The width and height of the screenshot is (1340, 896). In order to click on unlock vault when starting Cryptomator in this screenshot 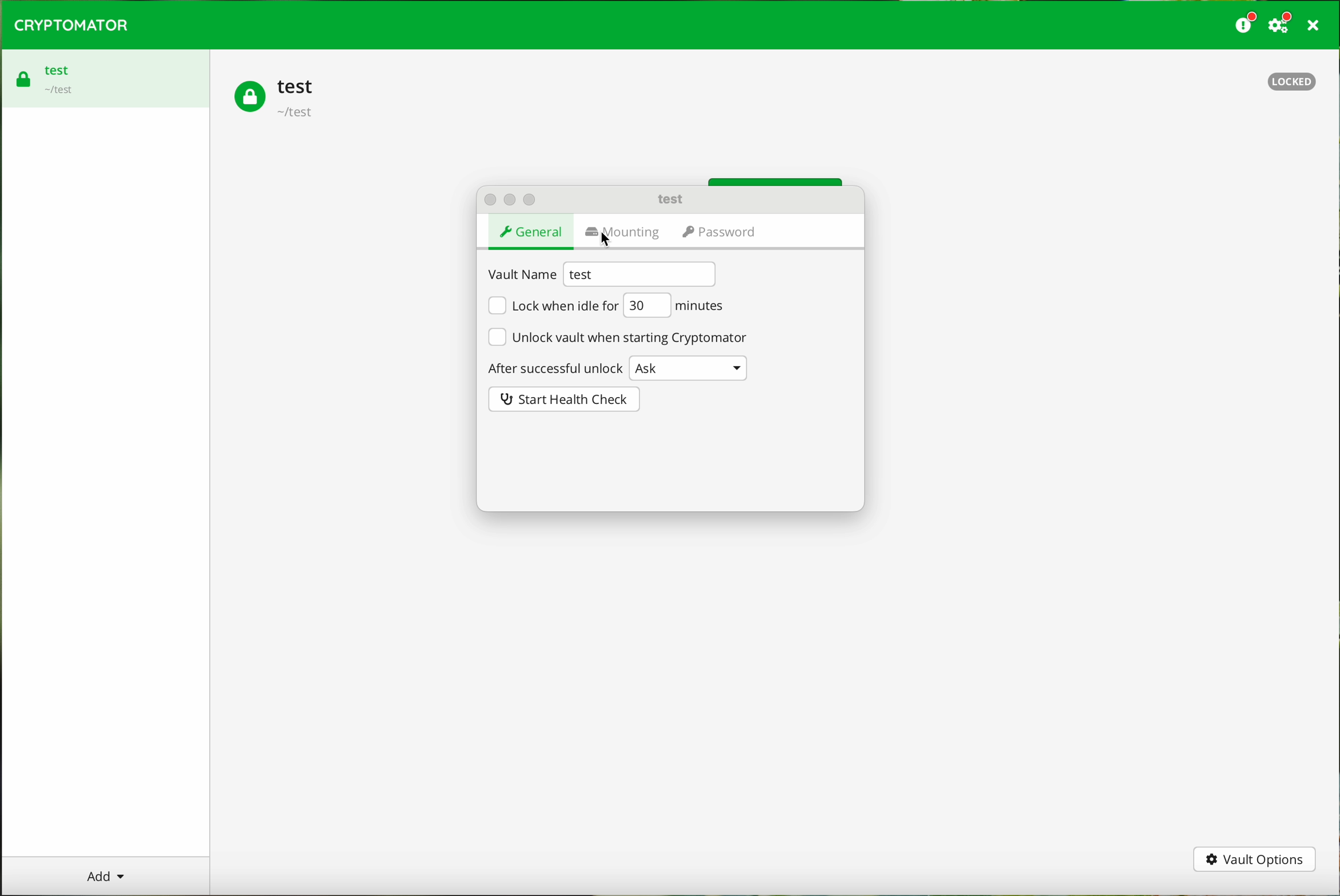, I will do `click(617, 336)`.